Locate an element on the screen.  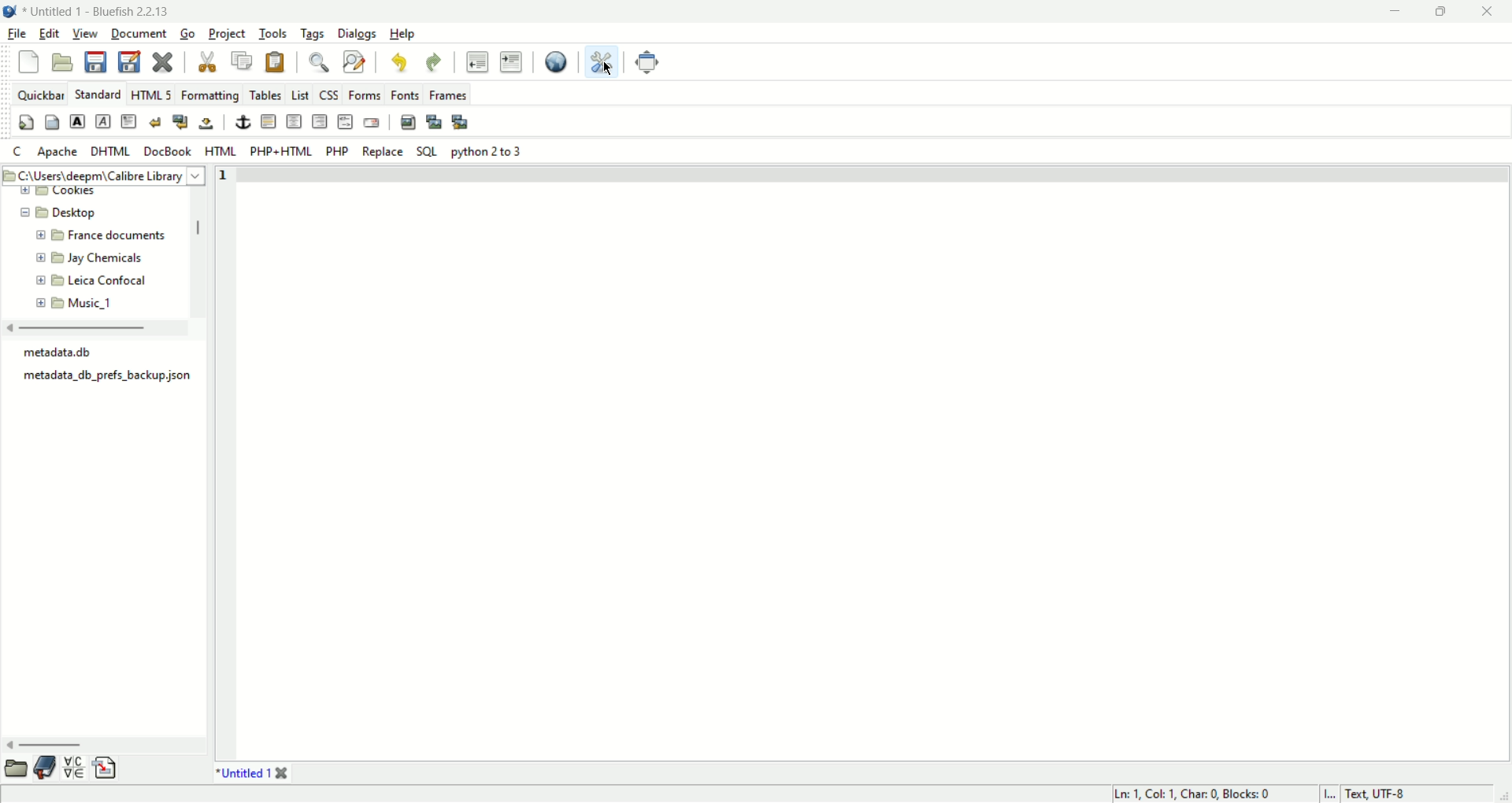
) France documents is located at coordinates (117, 236).